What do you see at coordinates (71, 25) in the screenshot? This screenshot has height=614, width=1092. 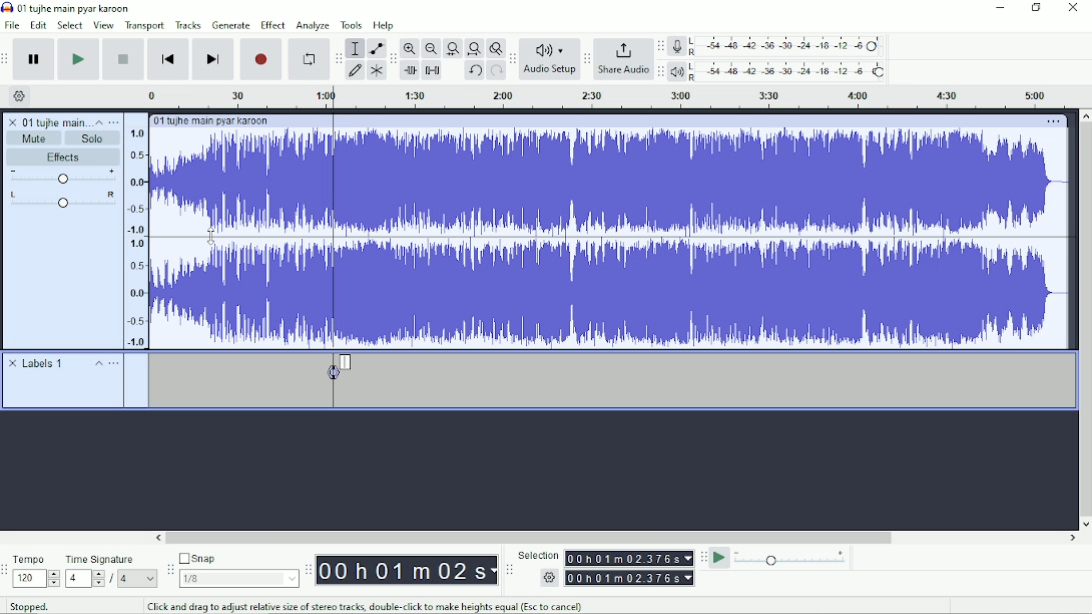 I see `Select` at bounding box center [71, 25].